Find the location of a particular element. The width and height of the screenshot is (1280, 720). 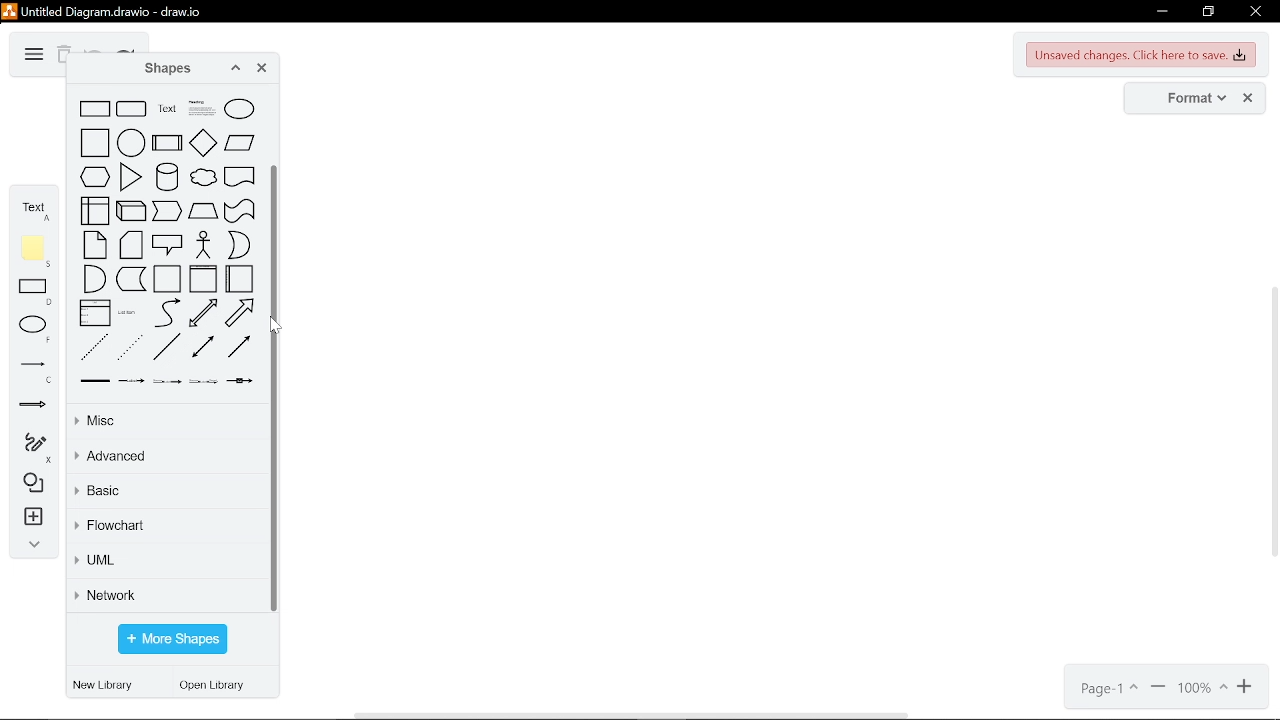

close is located at coordinates (262, 70).